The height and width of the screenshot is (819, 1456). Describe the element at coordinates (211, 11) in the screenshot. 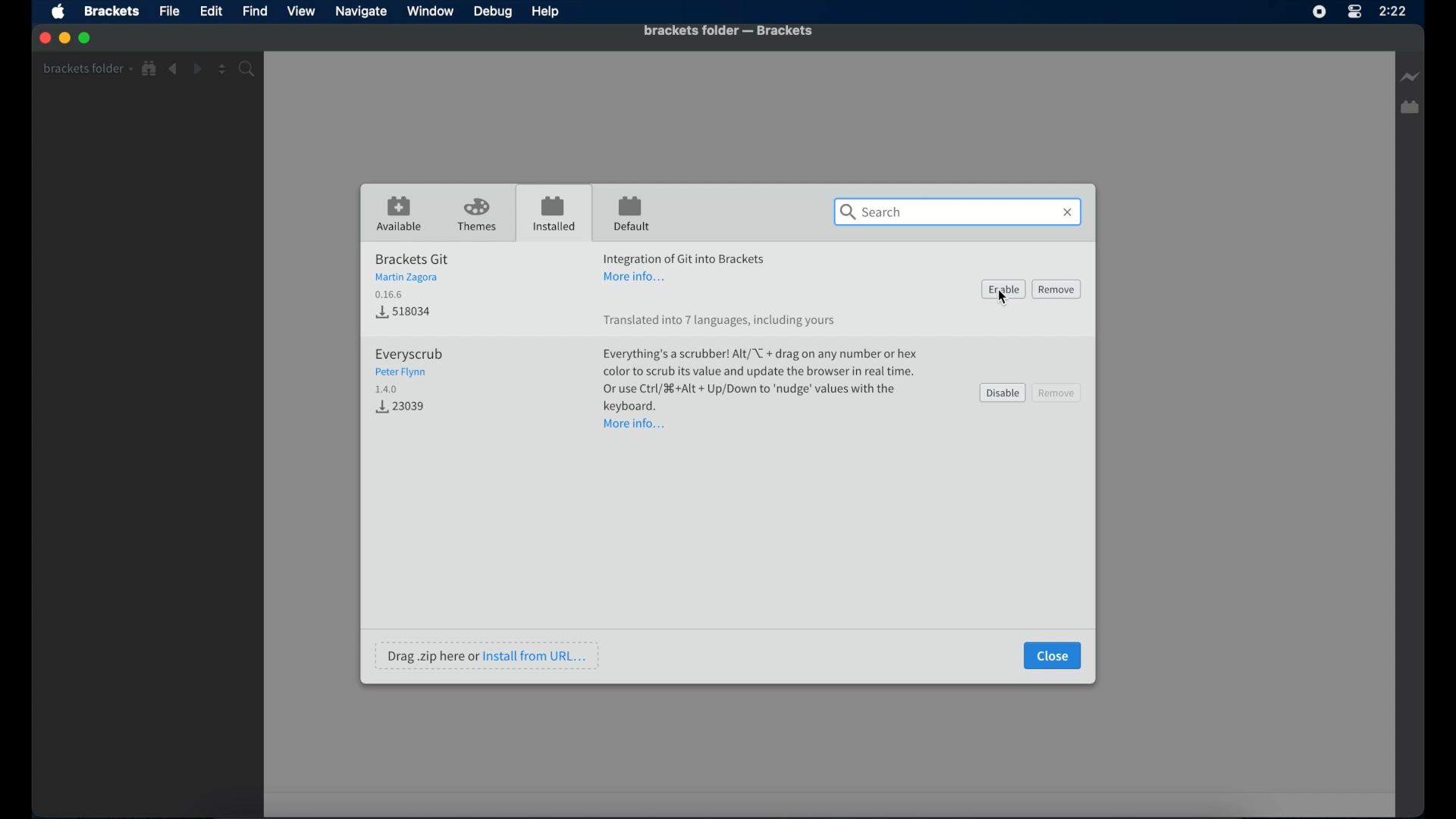

I see `edit` at that location.